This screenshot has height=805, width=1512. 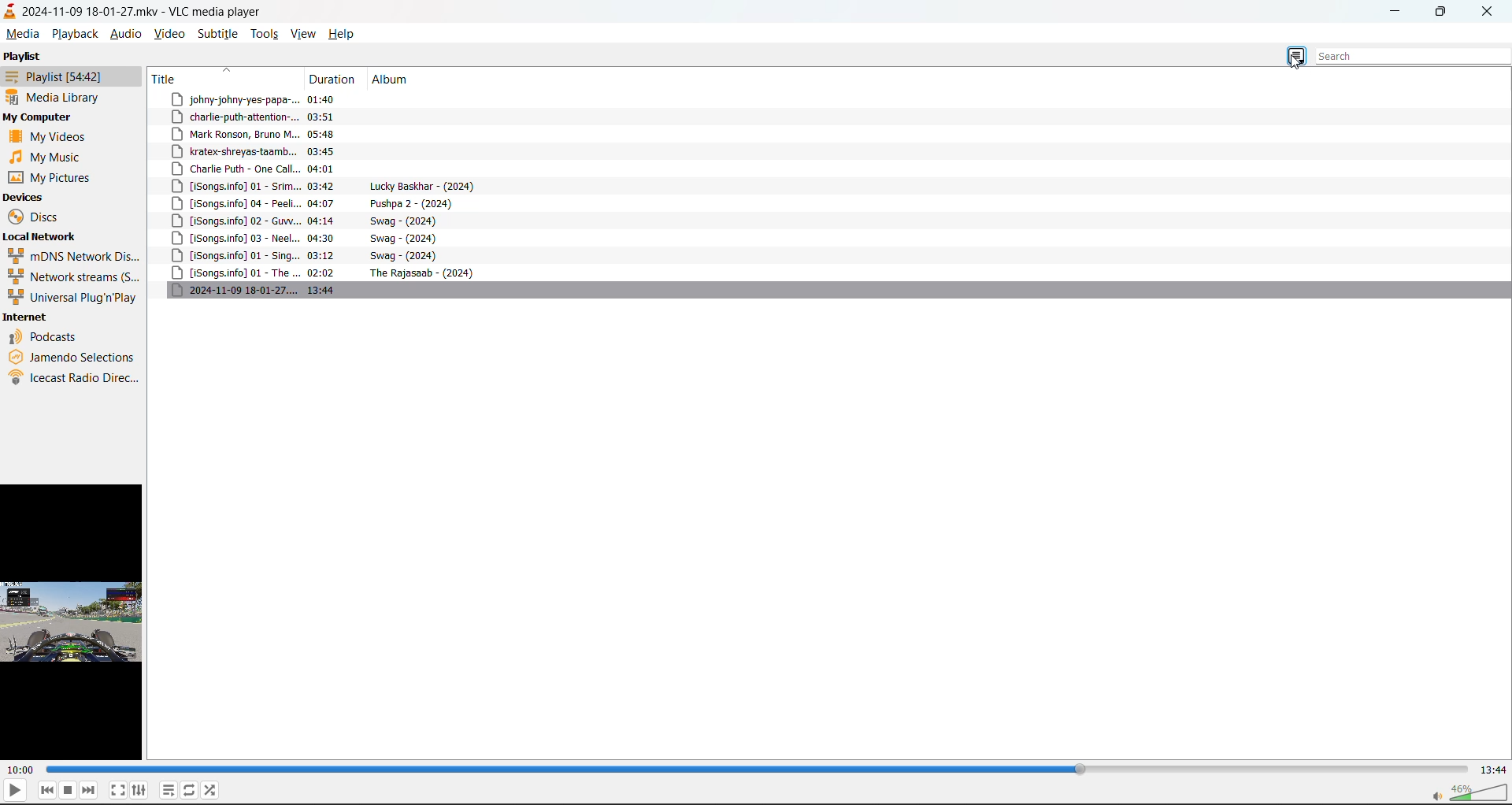 What do you see at coordinates (57, 96) in the screenshot?
I see `media library` at bounding box center [57, 96].